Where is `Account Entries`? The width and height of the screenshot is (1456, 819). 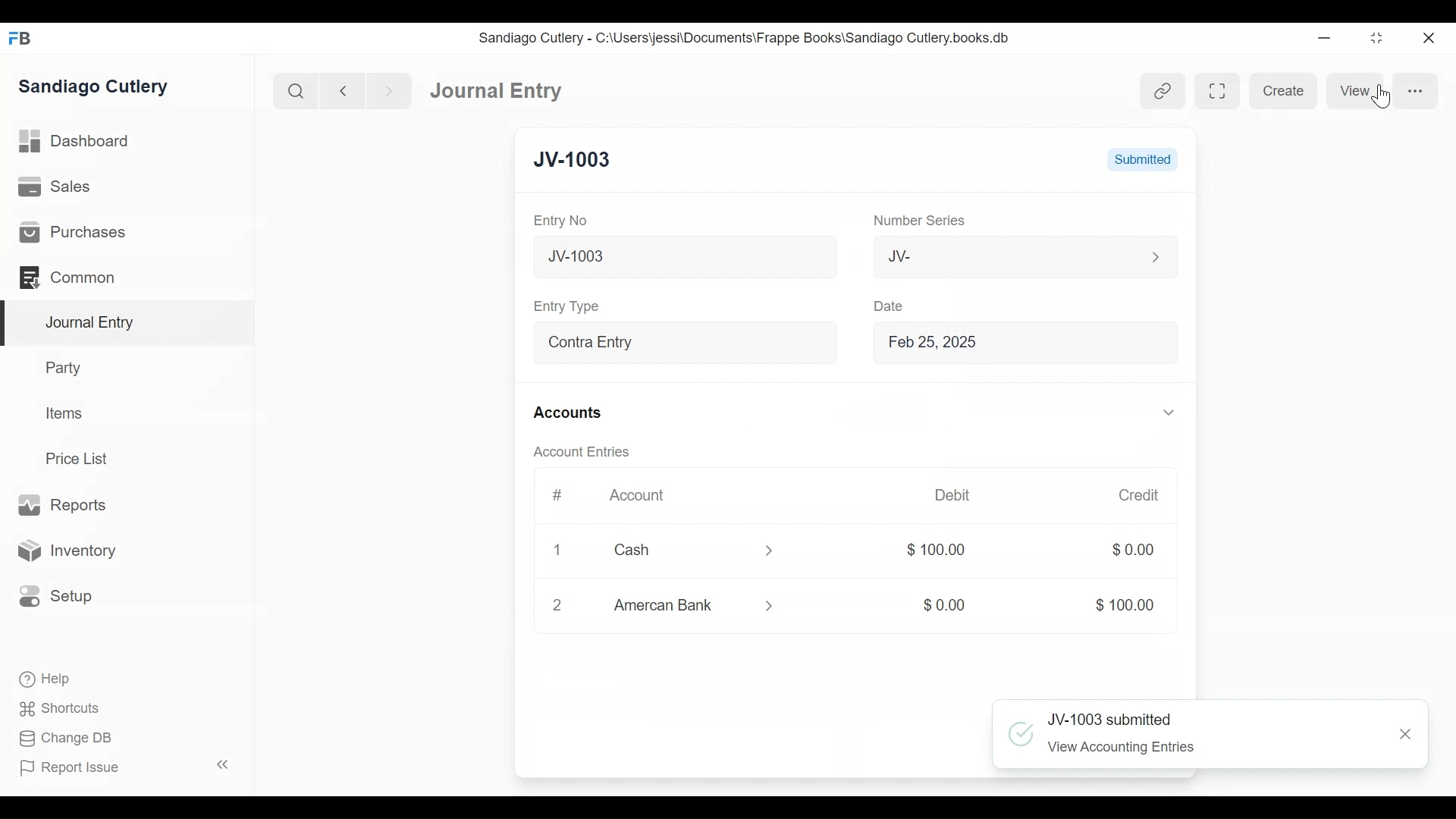
Account Entries is located at coordinates (588, 452).